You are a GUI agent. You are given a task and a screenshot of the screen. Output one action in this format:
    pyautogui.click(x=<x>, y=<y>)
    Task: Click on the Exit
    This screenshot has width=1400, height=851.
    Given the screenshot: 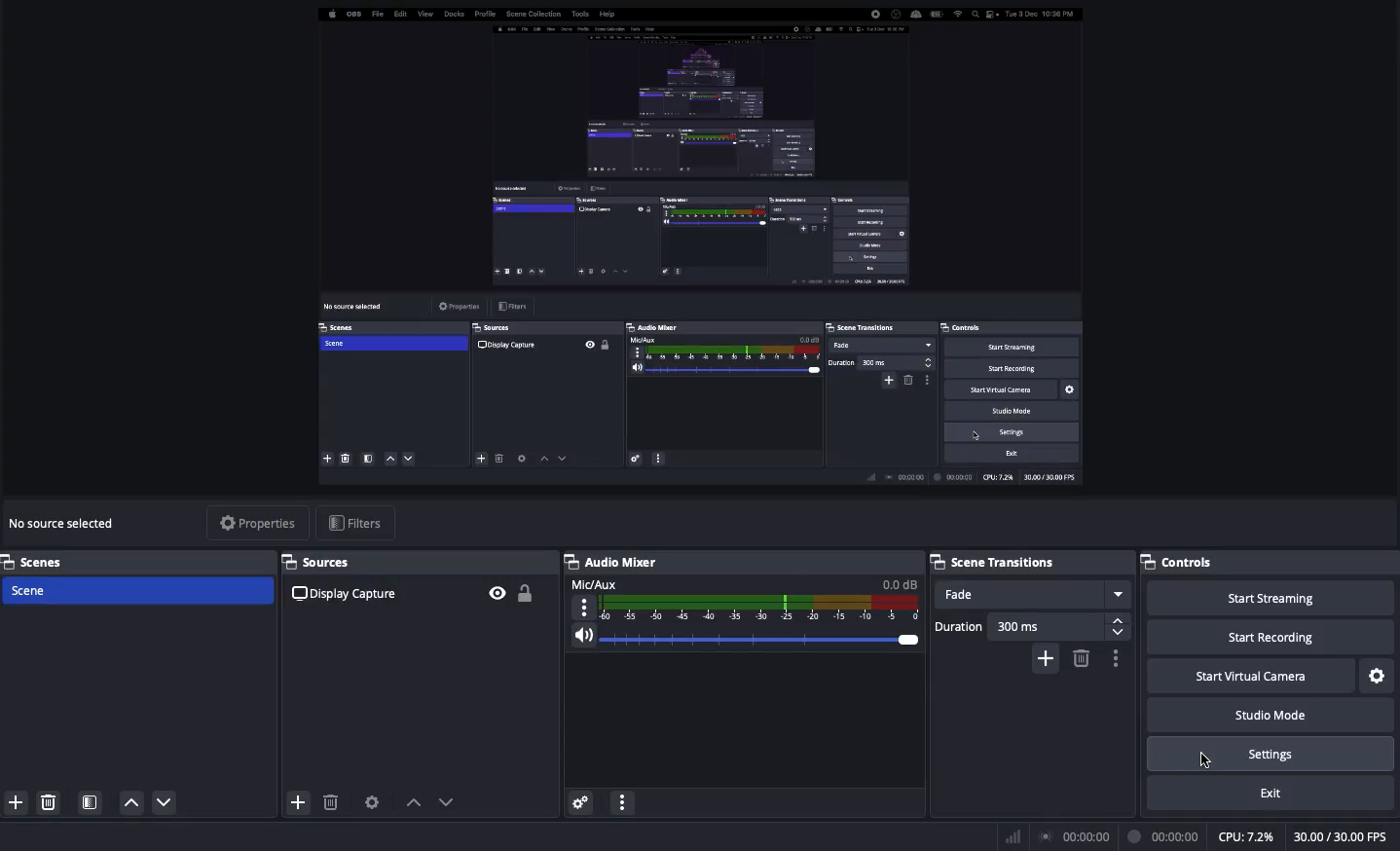 What is the action you would take?
    pyautogui.click(x=1275, y=793)
    